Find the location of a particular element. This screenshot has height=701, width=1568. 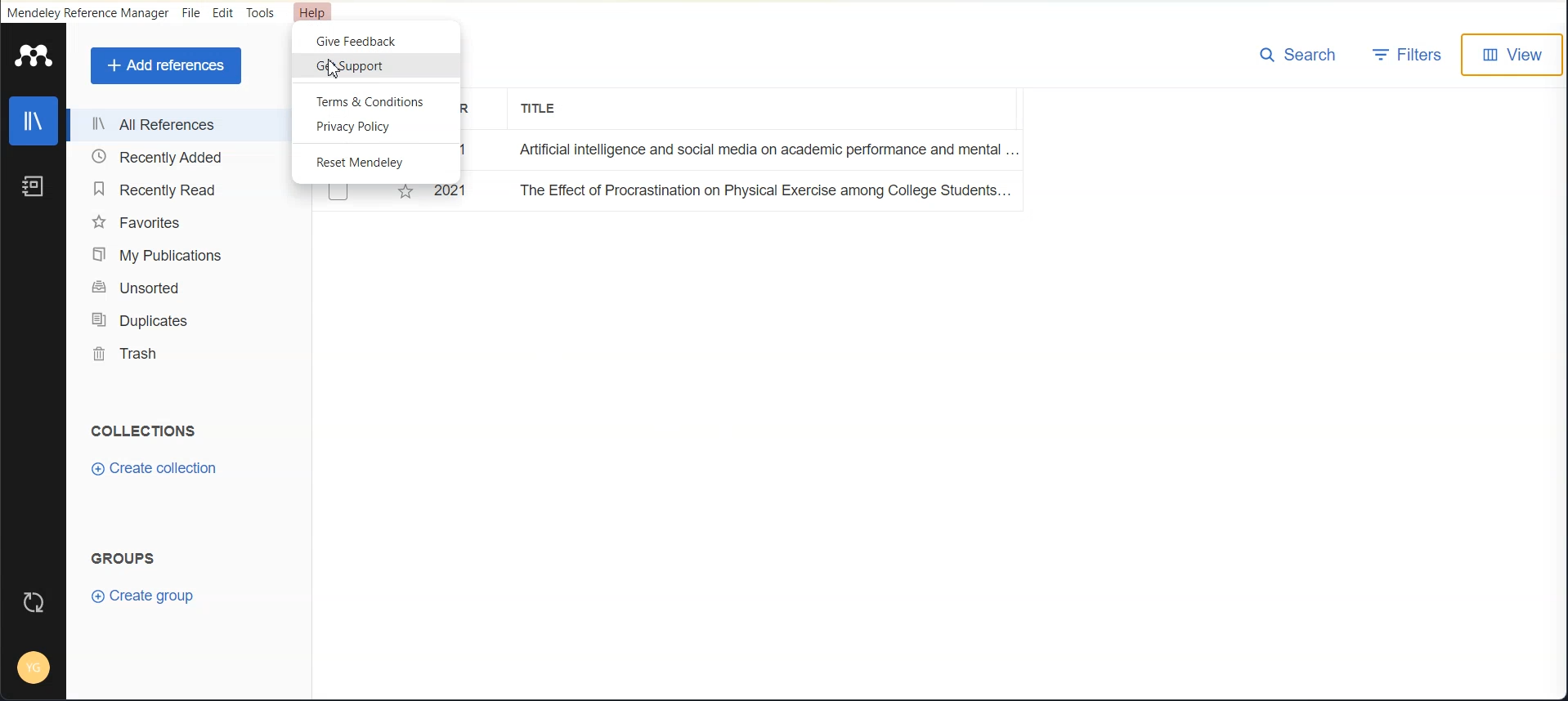

Unsorted is located at coordinates (182, 288).